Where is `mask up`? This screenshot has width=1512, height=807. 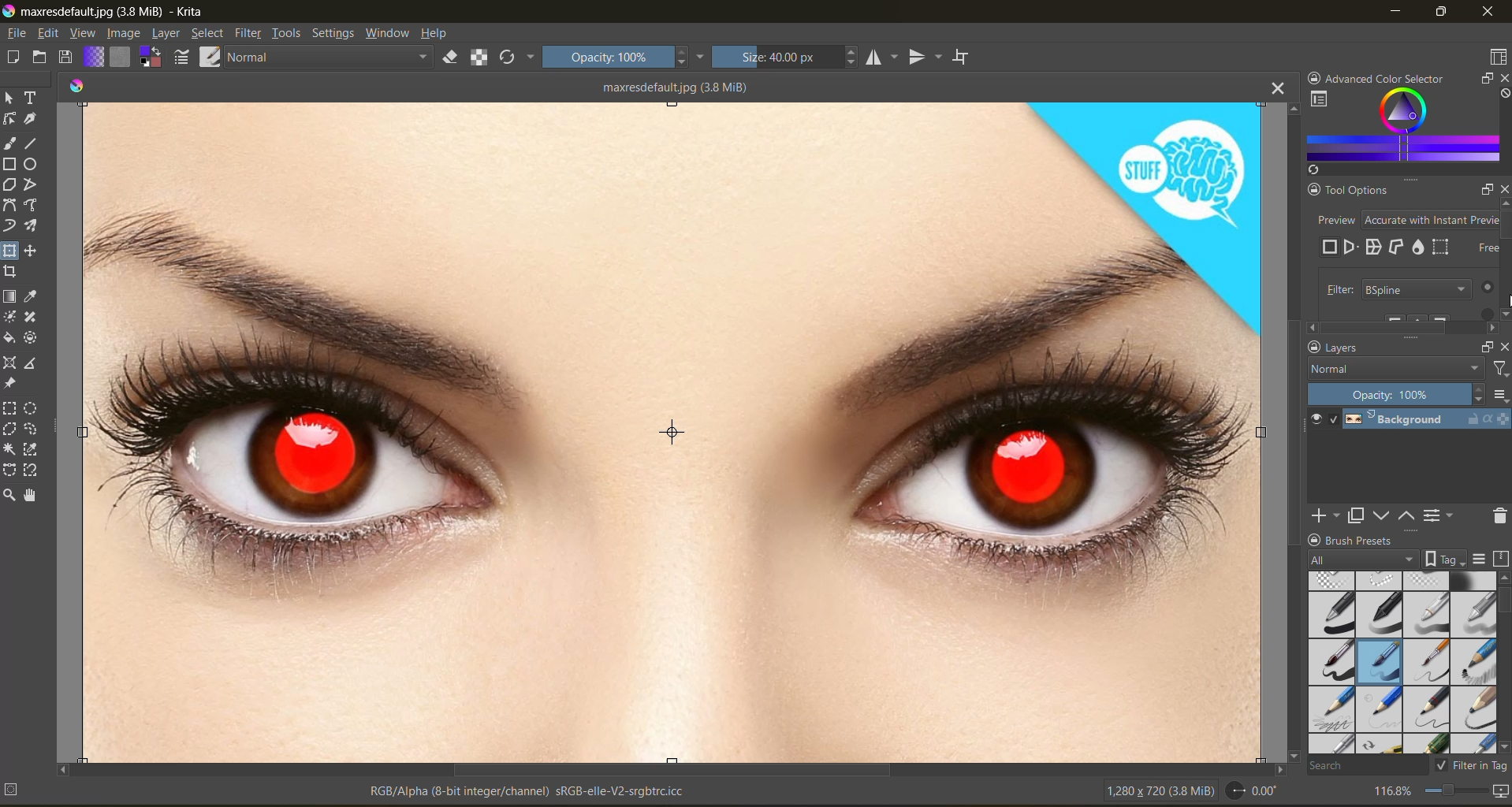
mask up is located at coordinates (1410, 516).